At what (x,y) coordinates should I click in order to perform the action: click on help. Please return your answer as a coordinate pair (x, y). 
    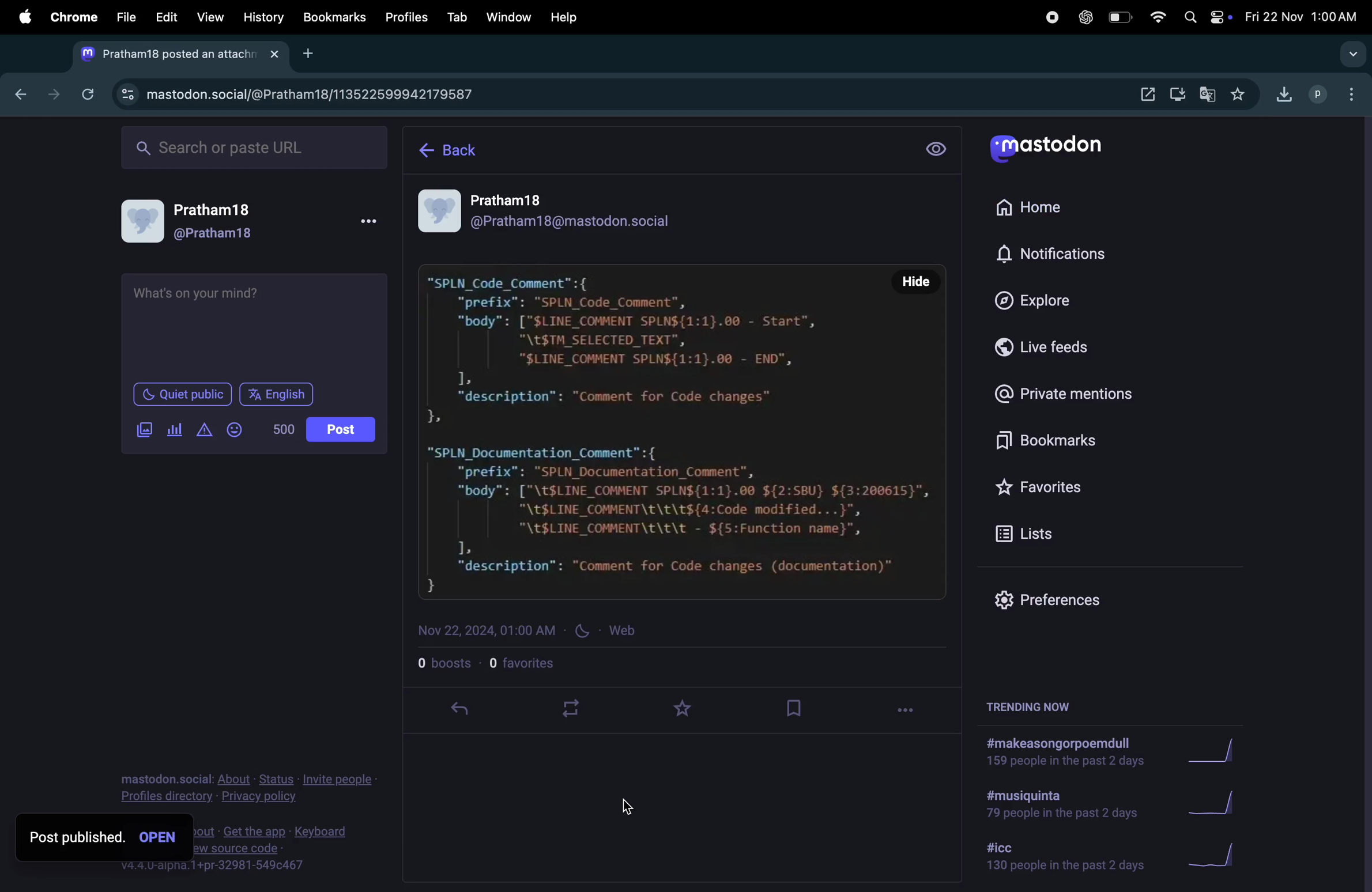
    Looking at the image, I should click on (566, 18).